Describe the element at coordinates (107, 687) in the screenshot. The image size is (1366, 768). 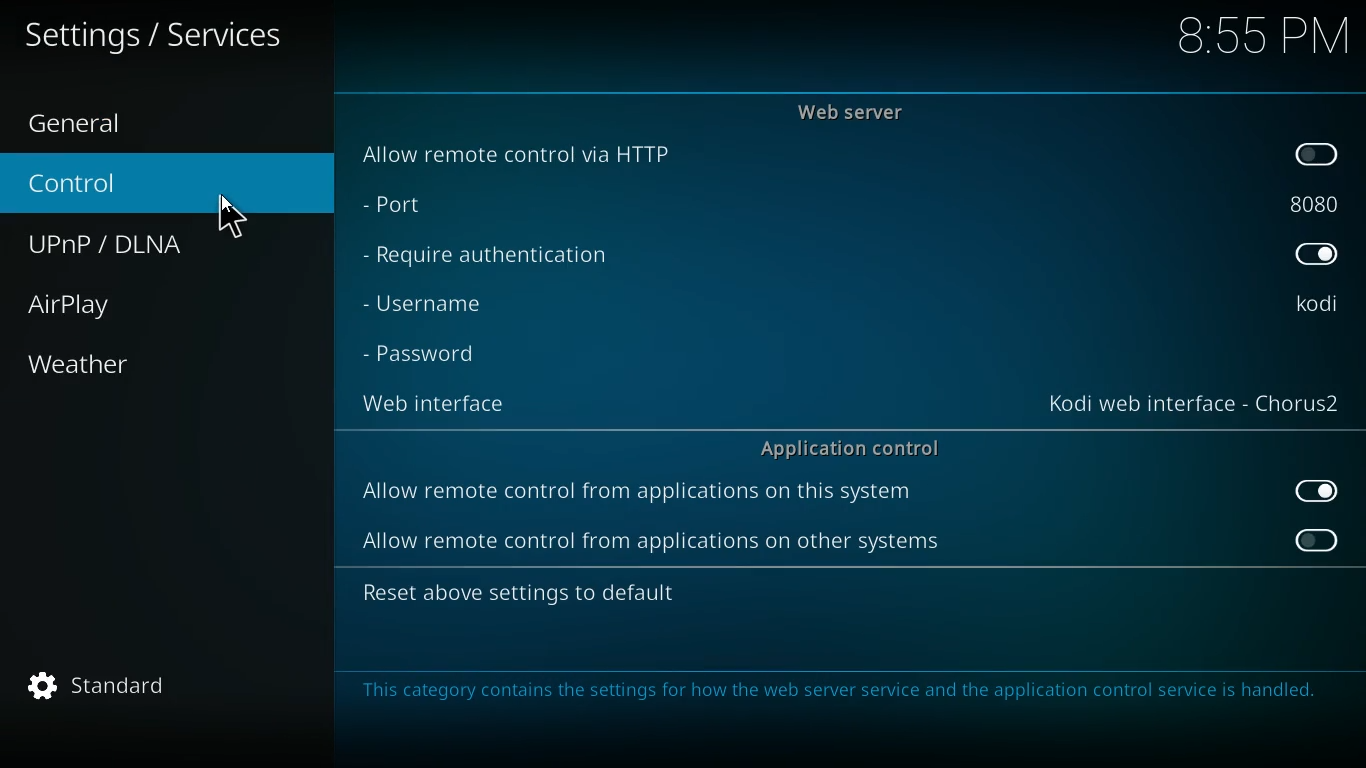
I see `standard` at that location.